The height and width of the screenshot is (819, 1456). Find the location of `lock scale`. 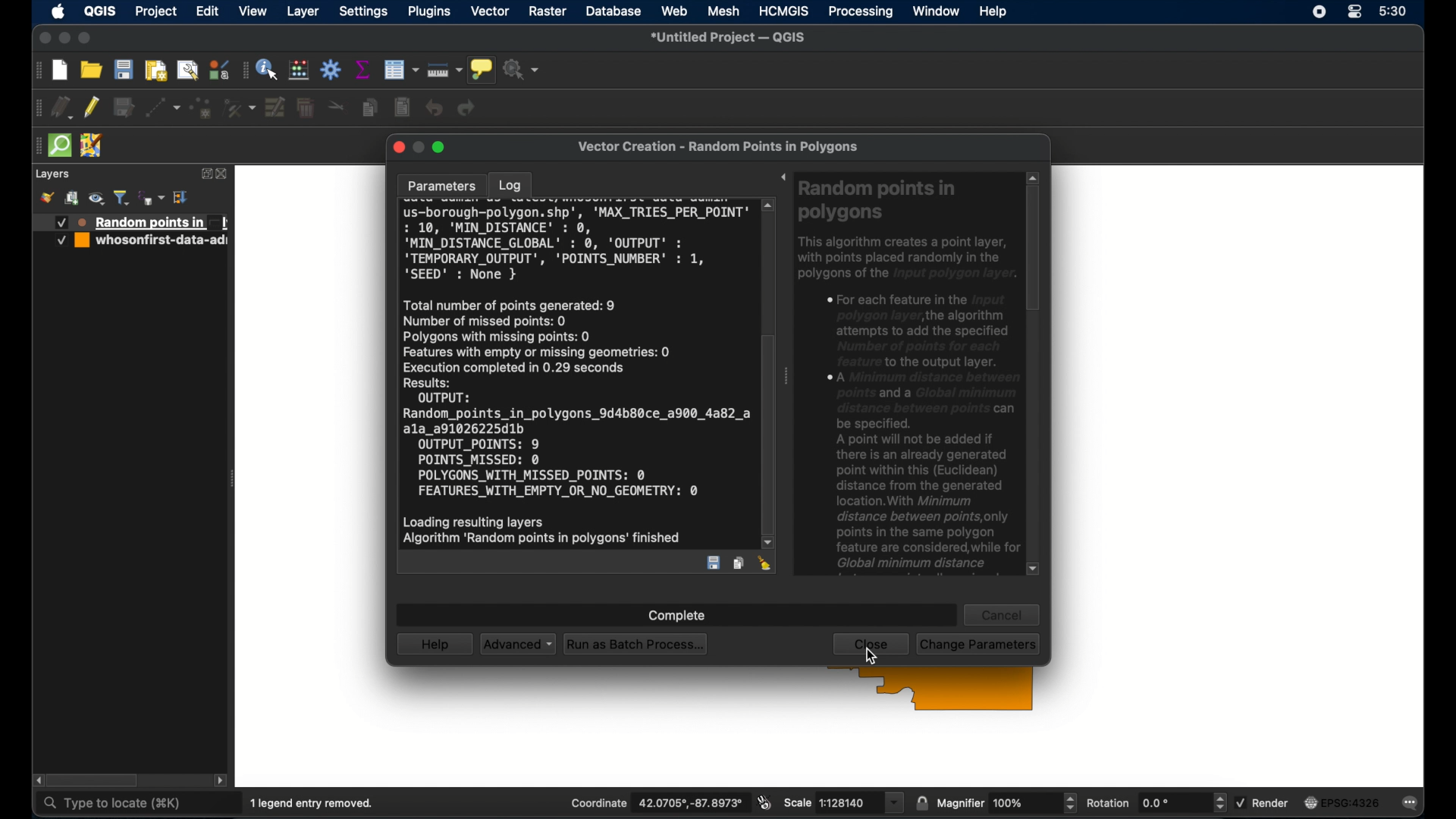

lock scale is located at coordinates (921, 803).